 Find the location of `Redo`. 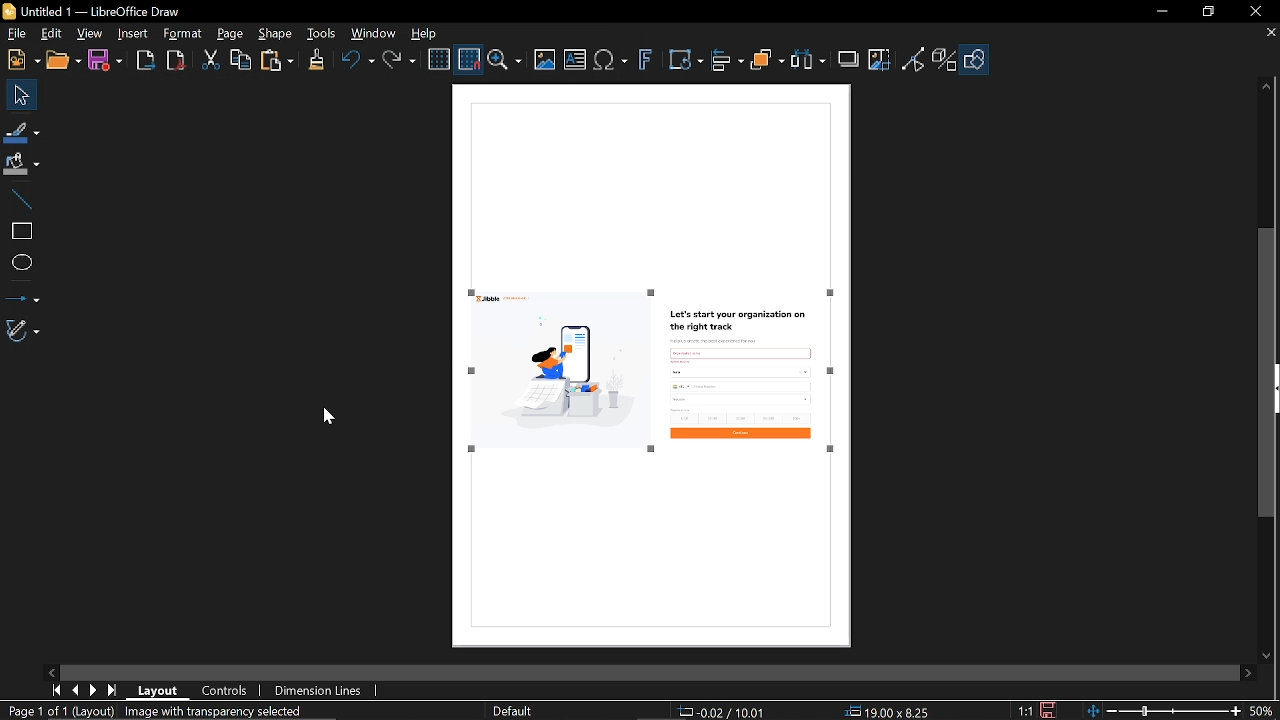

Redo is located at coordinates (402, 64).